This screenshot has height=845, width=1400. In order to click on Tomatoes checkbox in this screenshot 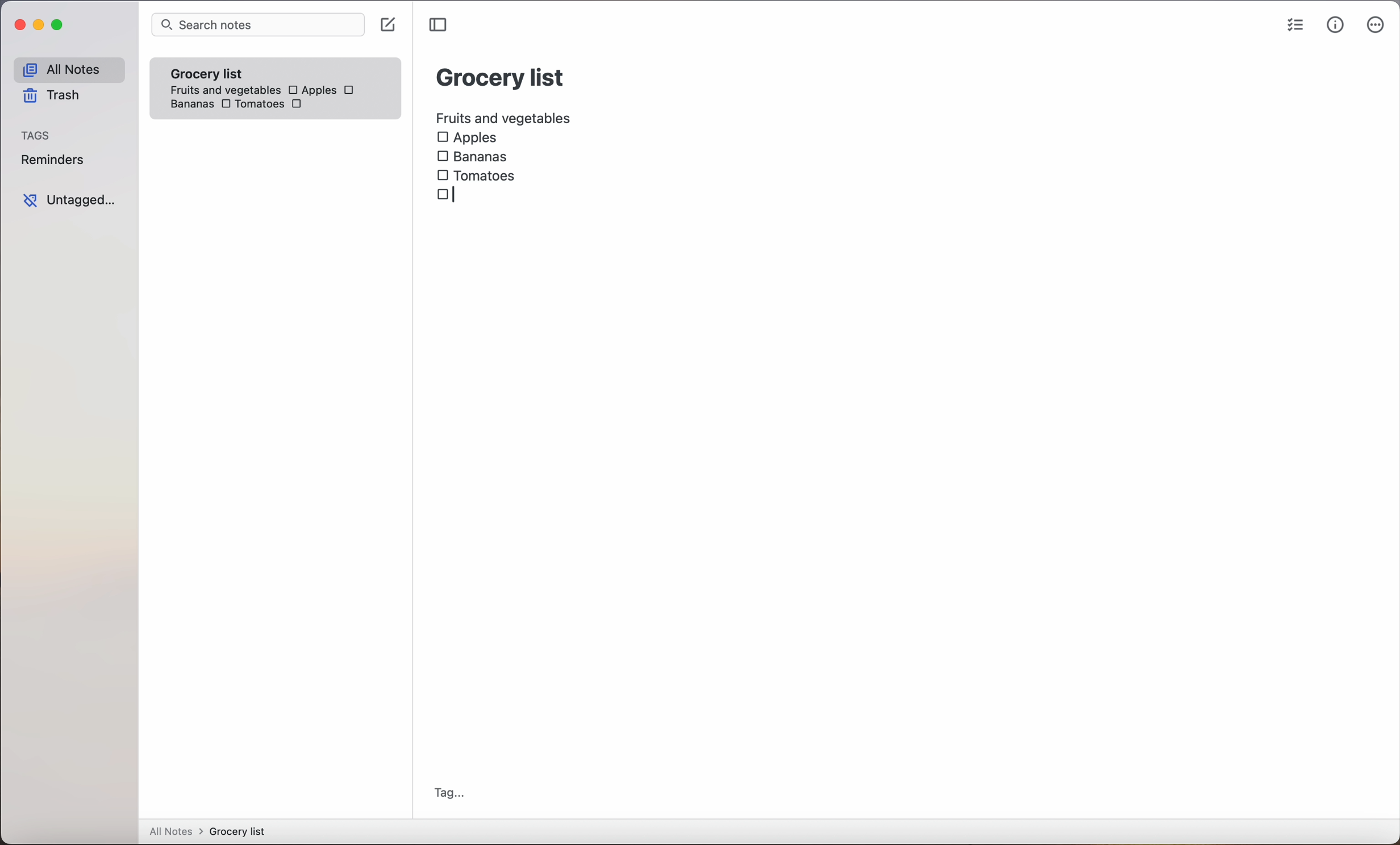, I will do `click(476, 176)`.